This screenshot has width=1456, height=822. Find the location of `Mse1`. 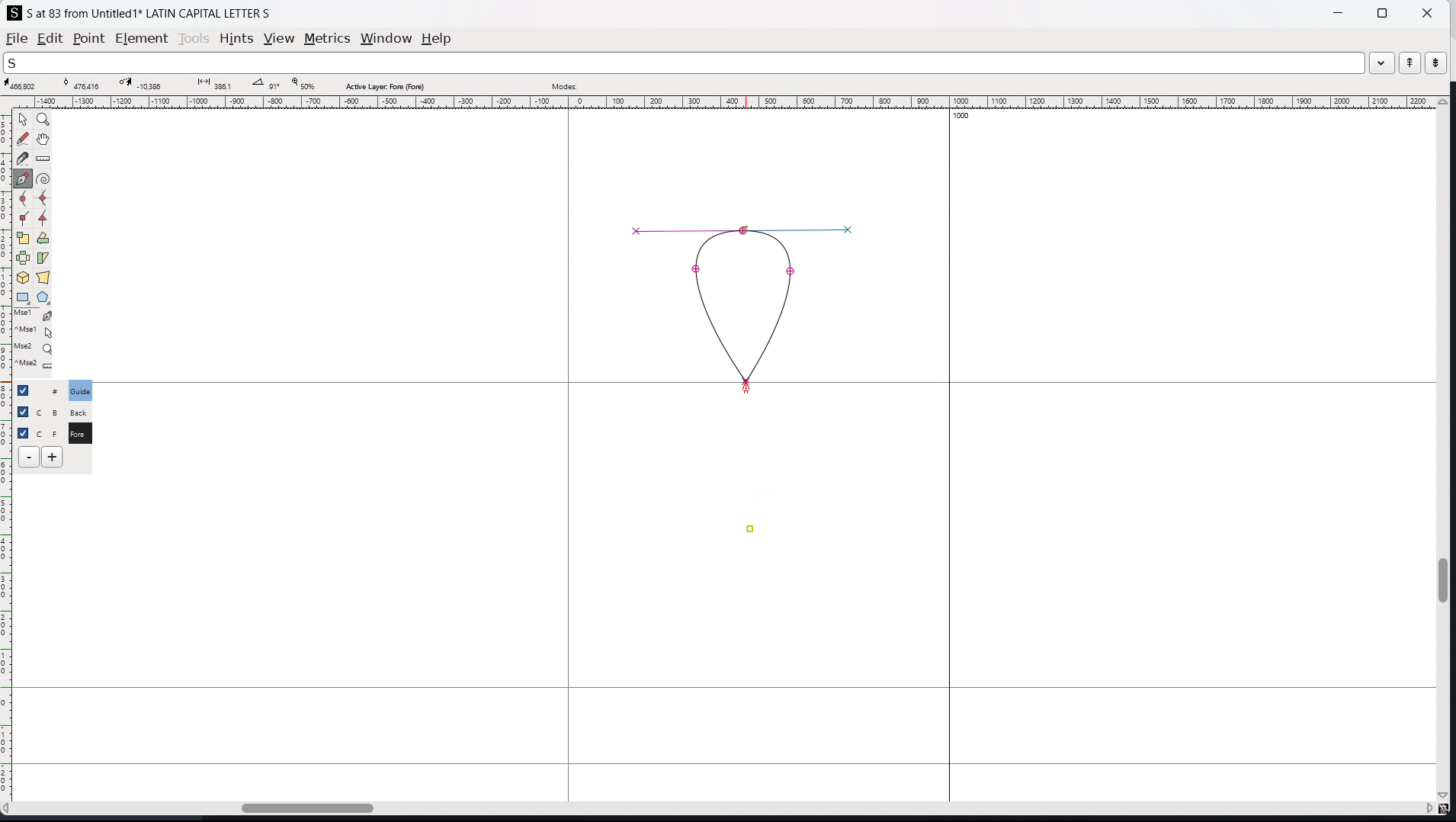

Mse1 is located at coordinates (34, 316).